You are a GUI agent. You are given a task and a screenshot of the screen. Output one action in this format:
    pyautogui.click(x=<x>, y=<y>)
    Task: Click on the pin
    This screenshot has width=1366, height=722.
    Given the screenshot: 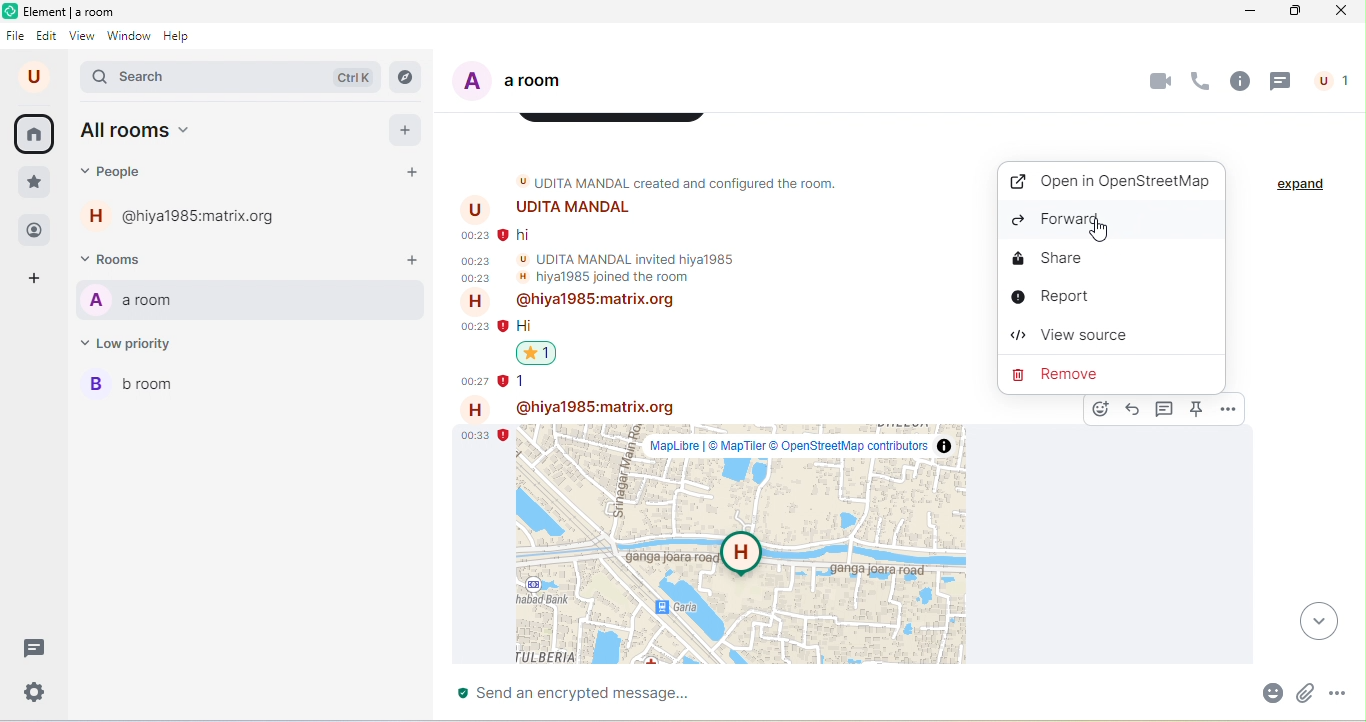 What is the action you would take?
    pyautogui.click(x=1196, y=408)
    